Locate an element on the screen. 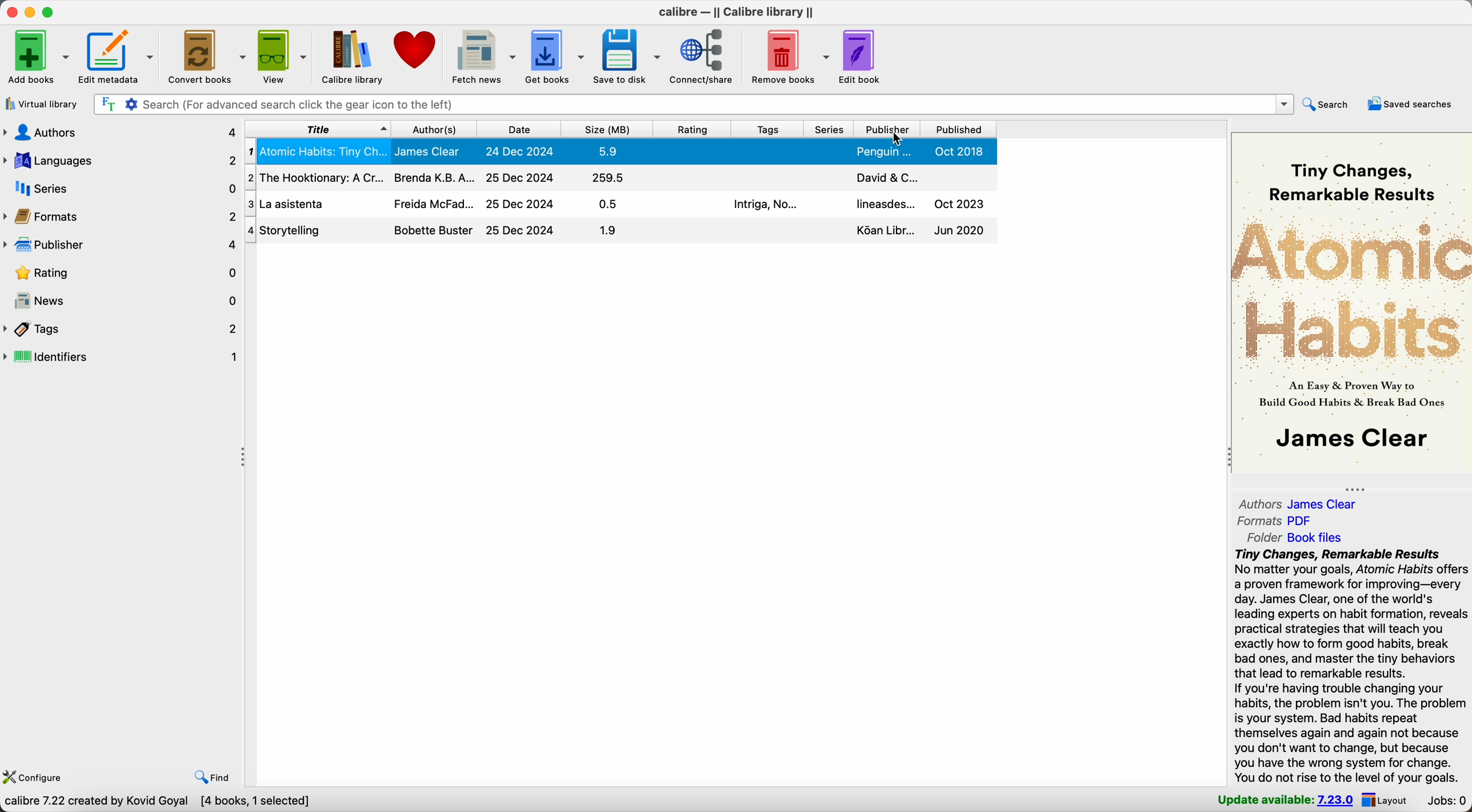 Image resolution: width=1472 pixels, height=812 pixels. convert books is located at coordinates (207, 58).